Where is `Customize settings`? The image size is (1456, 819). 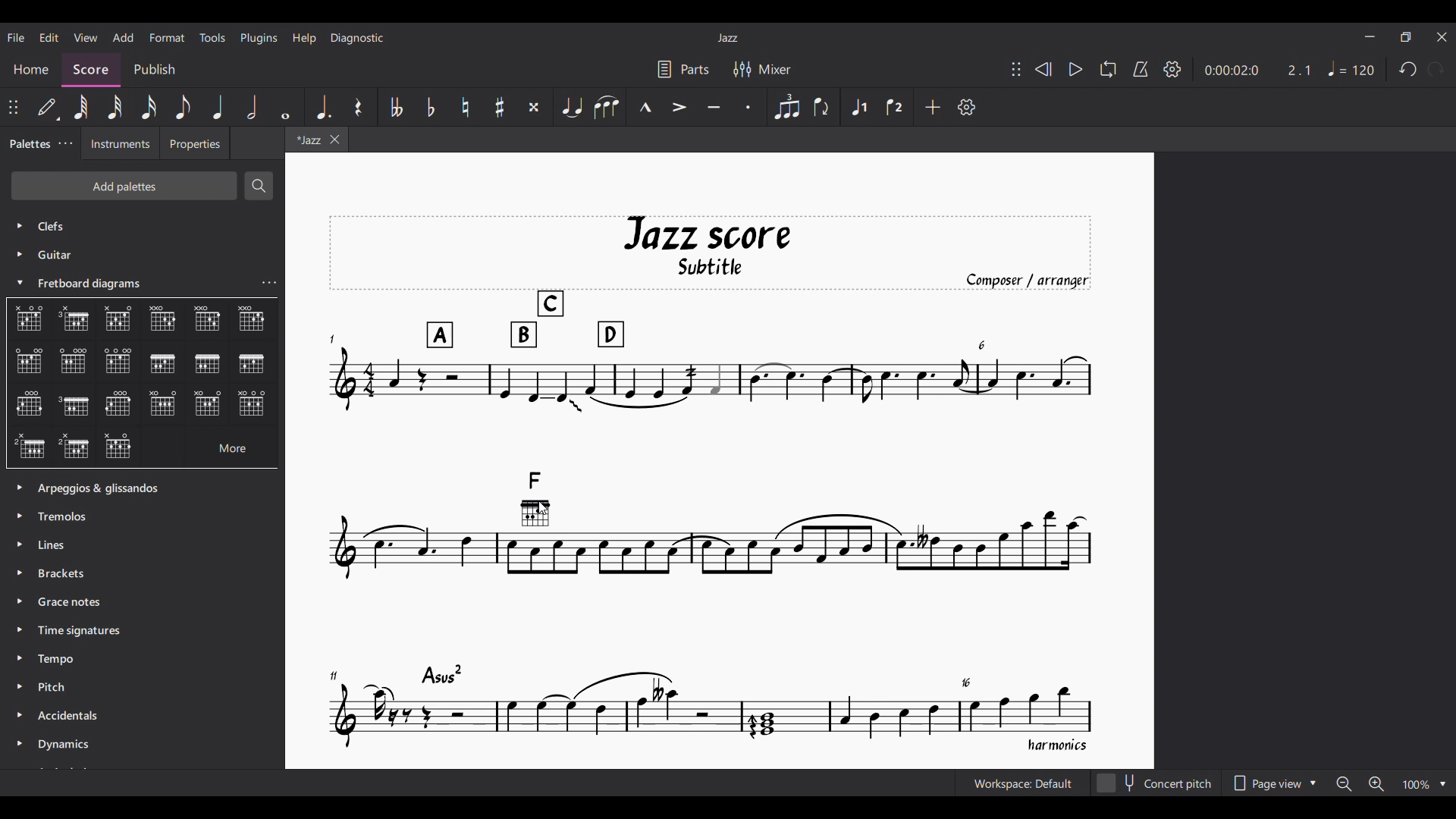 Customize settings is located at coordinates (967, 107).